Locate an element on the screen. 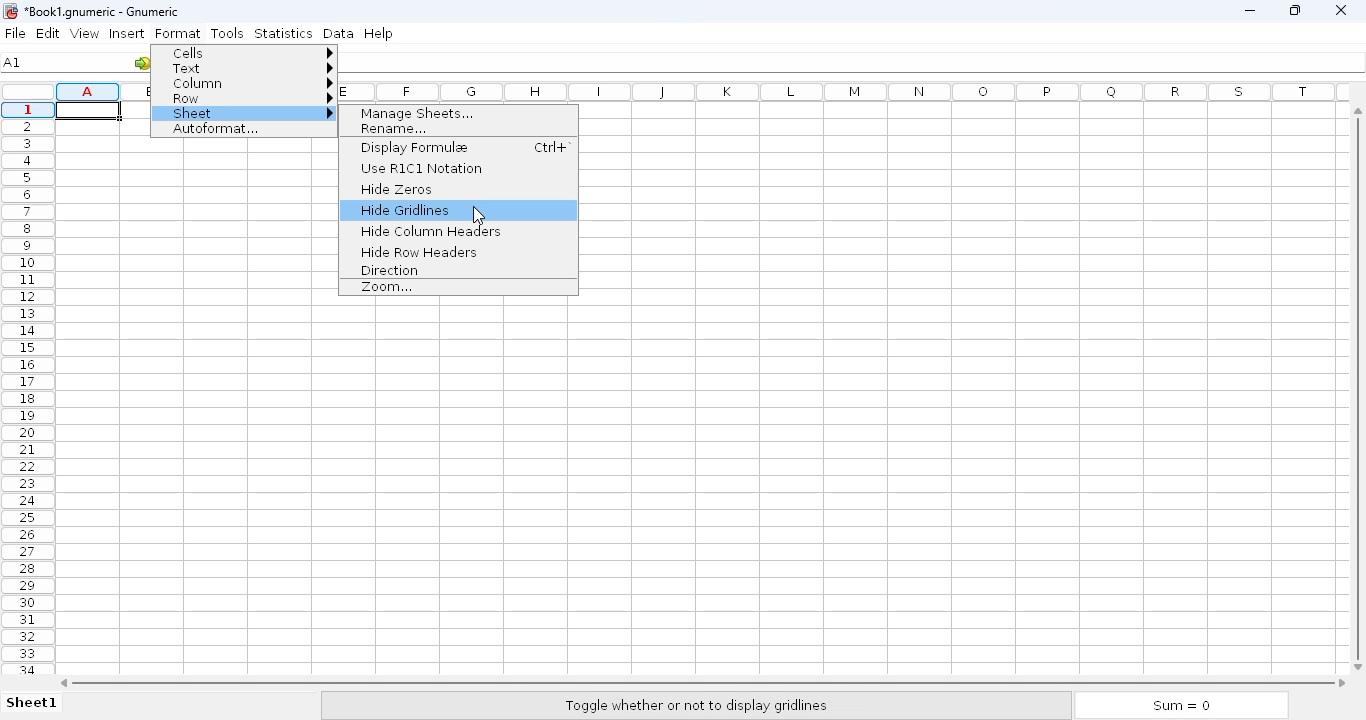 This screenshot has width=1366, height=720. toggle whether or not to display gridlines is located at coordinates (695, 706).